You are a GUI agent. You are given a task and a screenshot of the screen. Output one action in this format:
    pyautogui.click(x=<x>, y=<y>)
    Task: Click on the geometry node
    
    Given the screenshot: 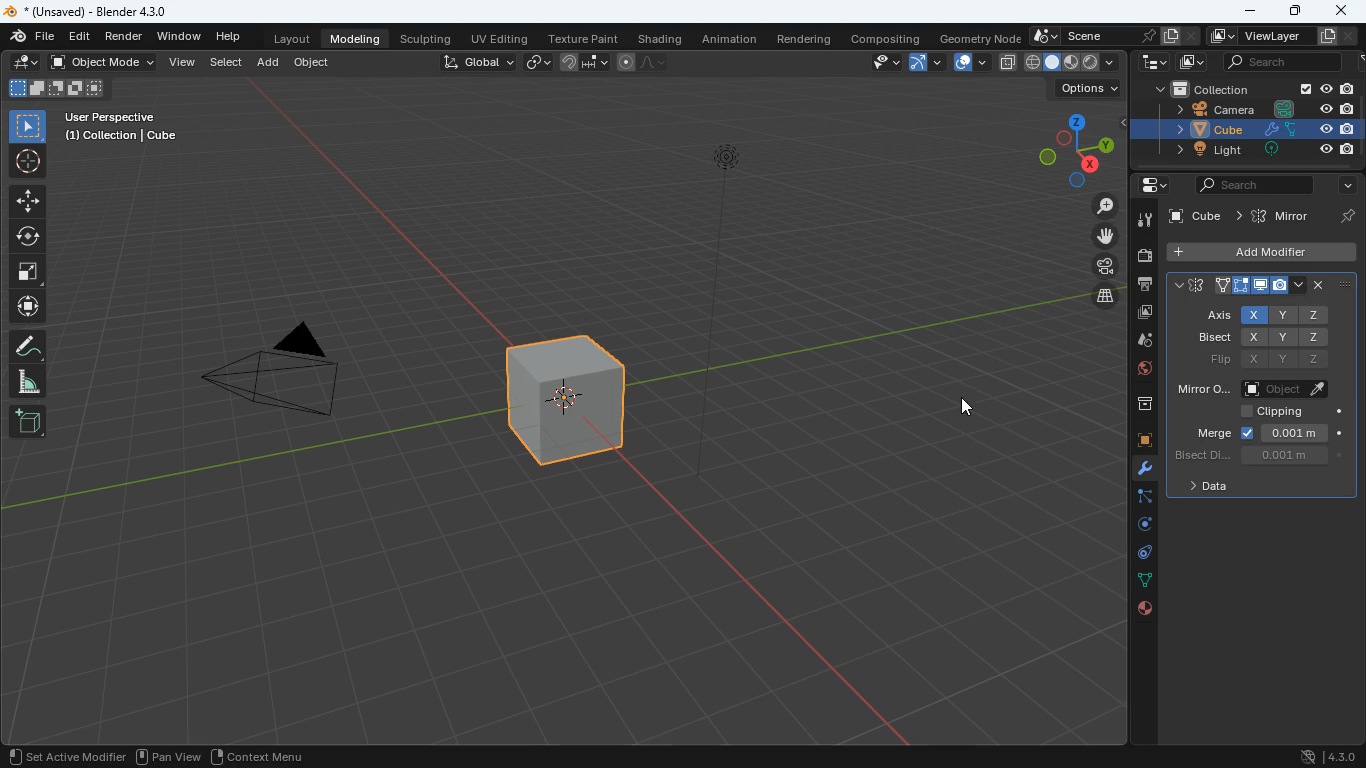 What is the action you would take?
    pyautogui.click(x=980, y=38)
    